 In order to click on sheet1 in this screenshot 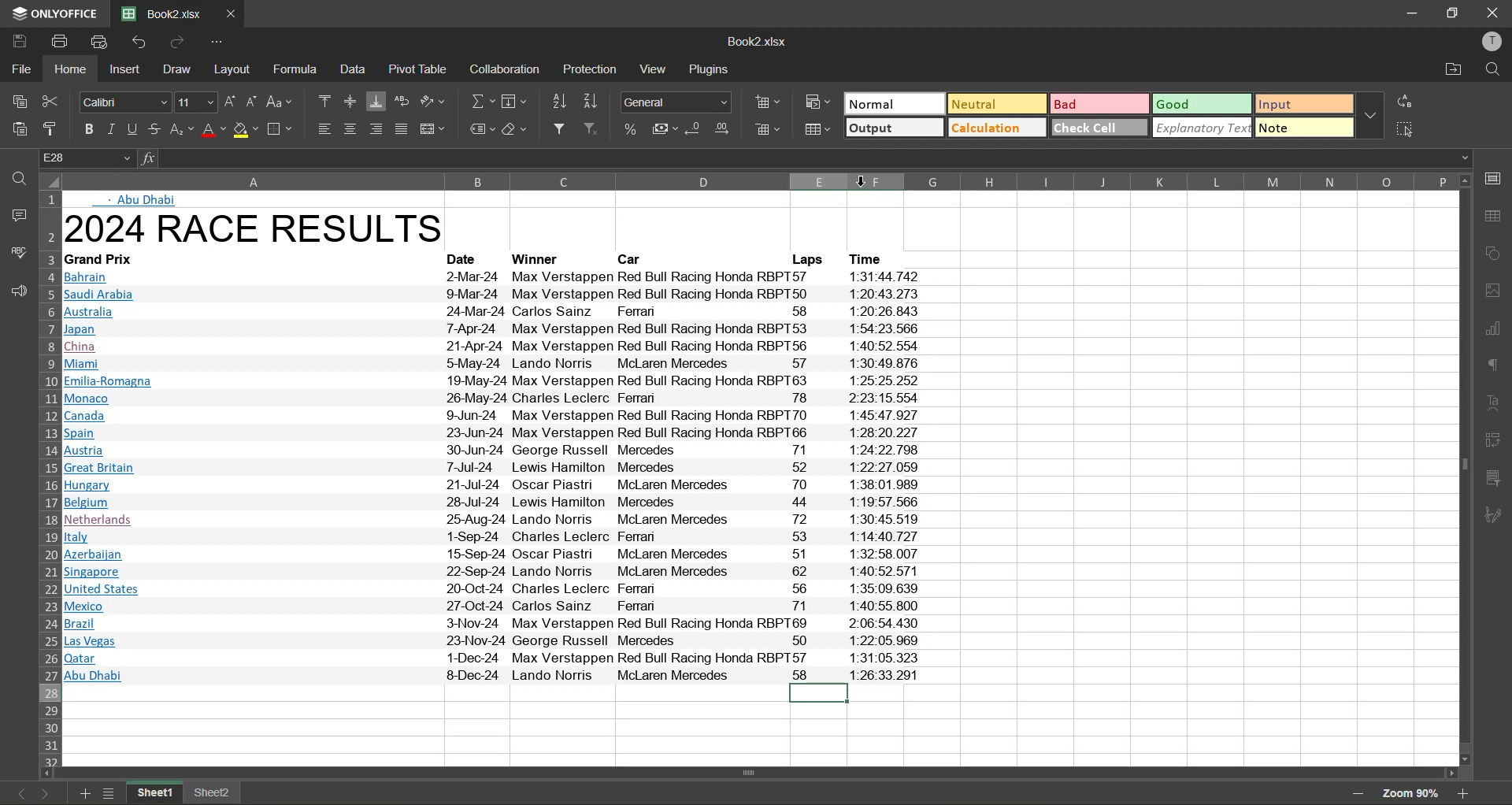, I will do `click(156, 795)`.